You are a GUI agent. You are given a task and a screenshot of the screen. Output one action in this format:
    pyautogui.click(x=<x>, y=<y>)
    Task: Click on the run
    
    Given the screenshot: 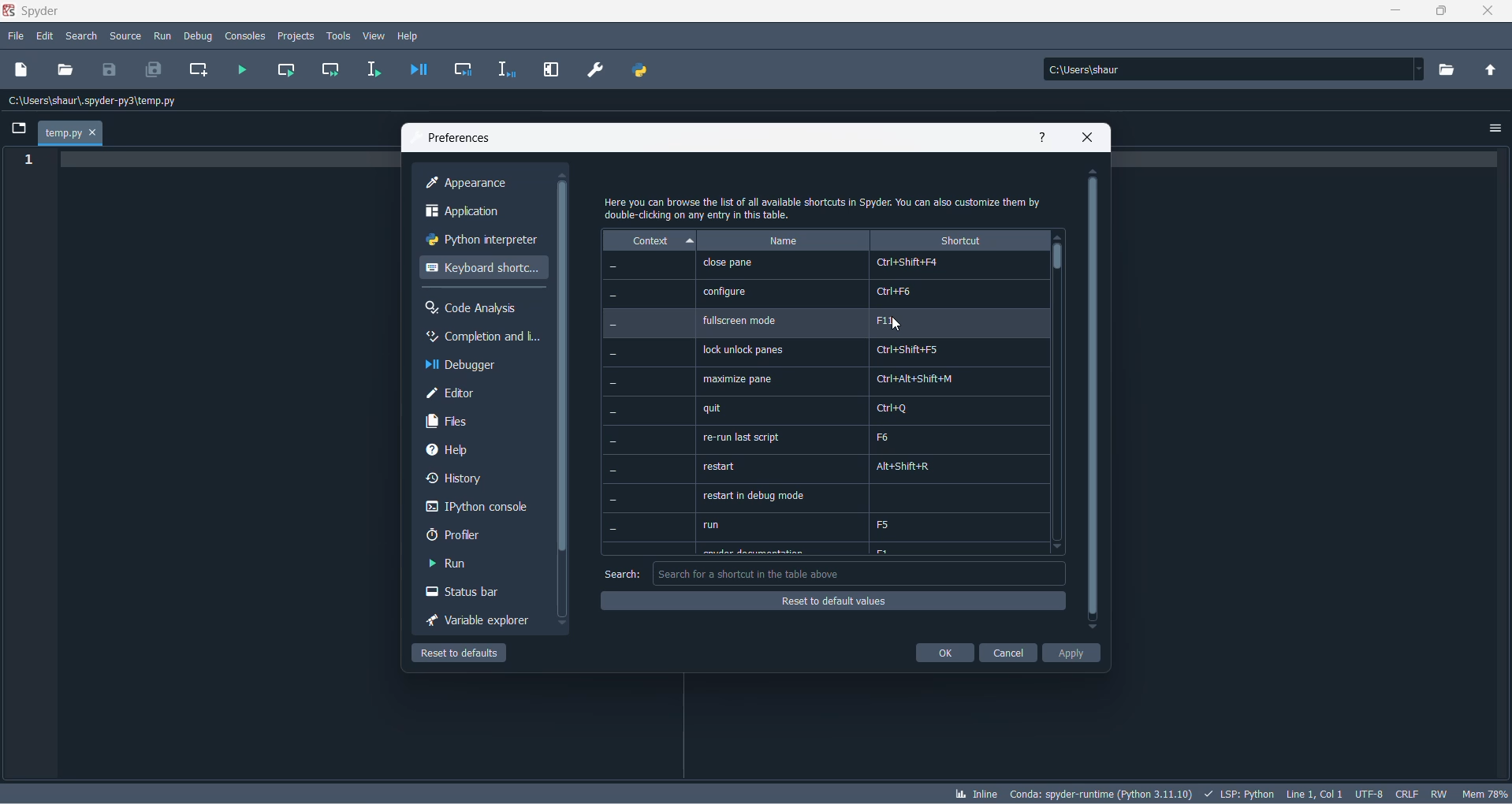 What is the action you would take?
    pyautogui.click(x=713, y=525)
    